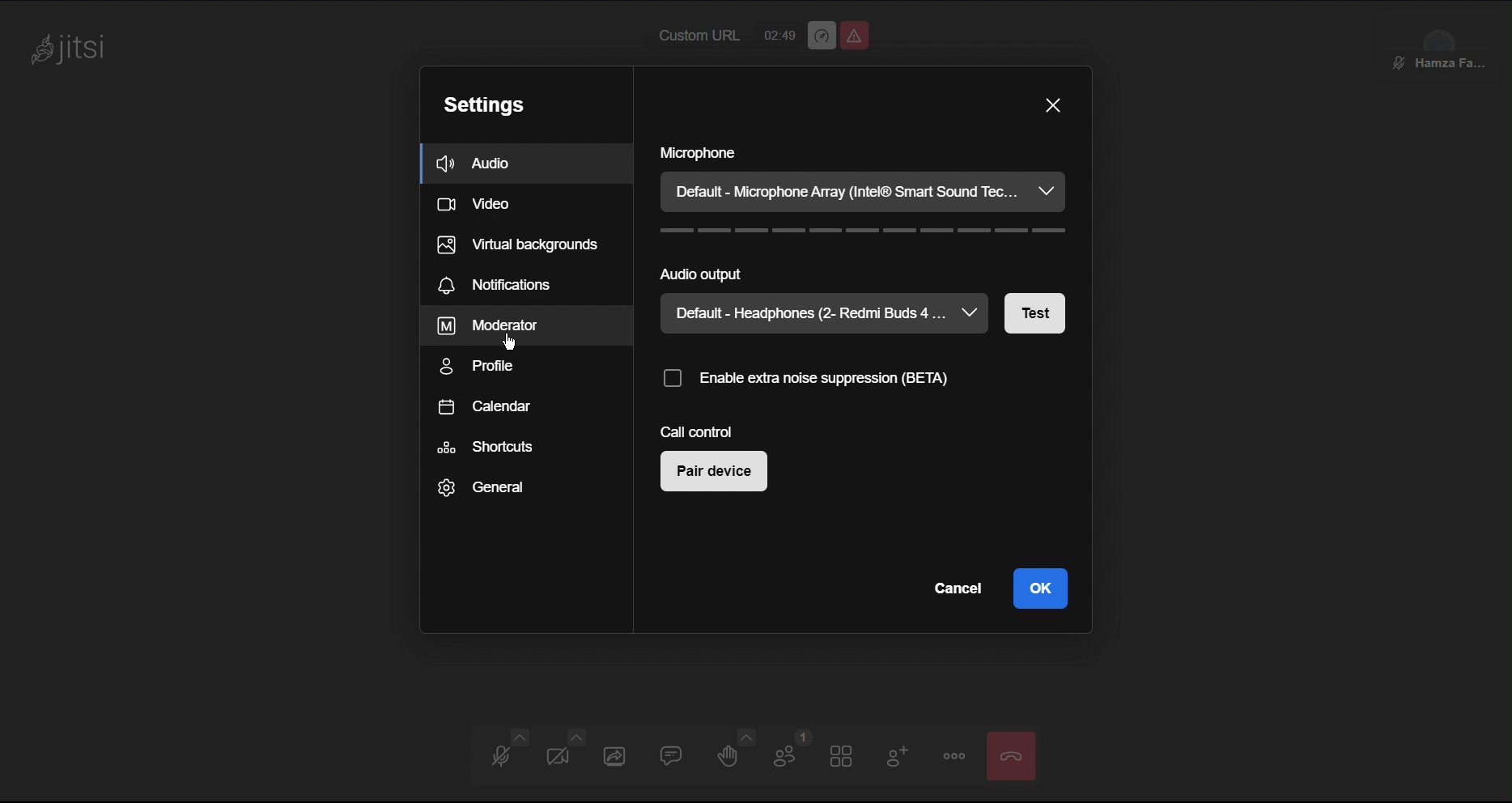 The width and height of the screenshot is (1512, 803). Describe the element at coordinates (488, 101) in the screenshot. I see `Settings` at that location.